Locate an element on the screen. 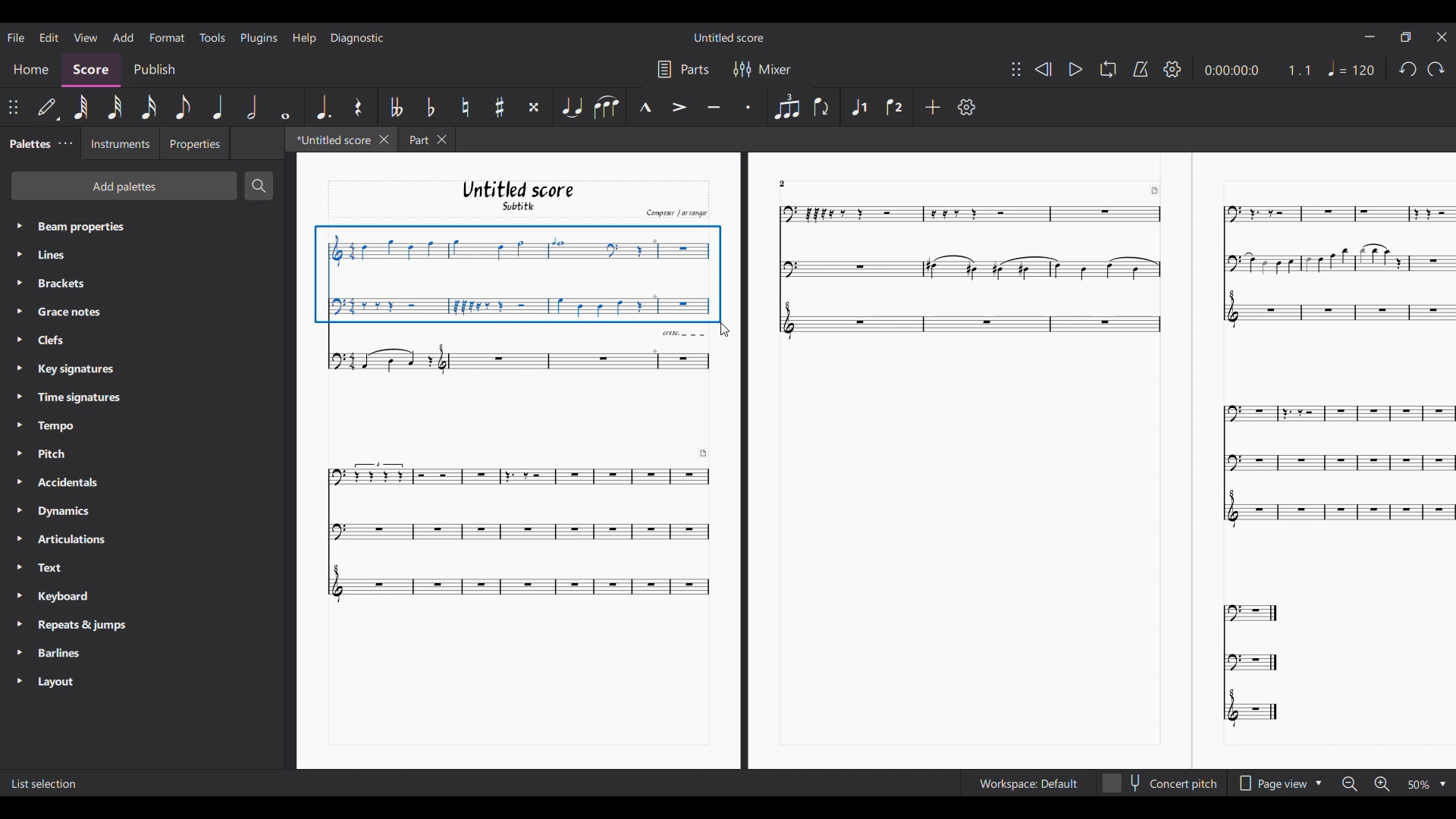 The image size is (1456, 819).  is located at coordinates (523, 362).